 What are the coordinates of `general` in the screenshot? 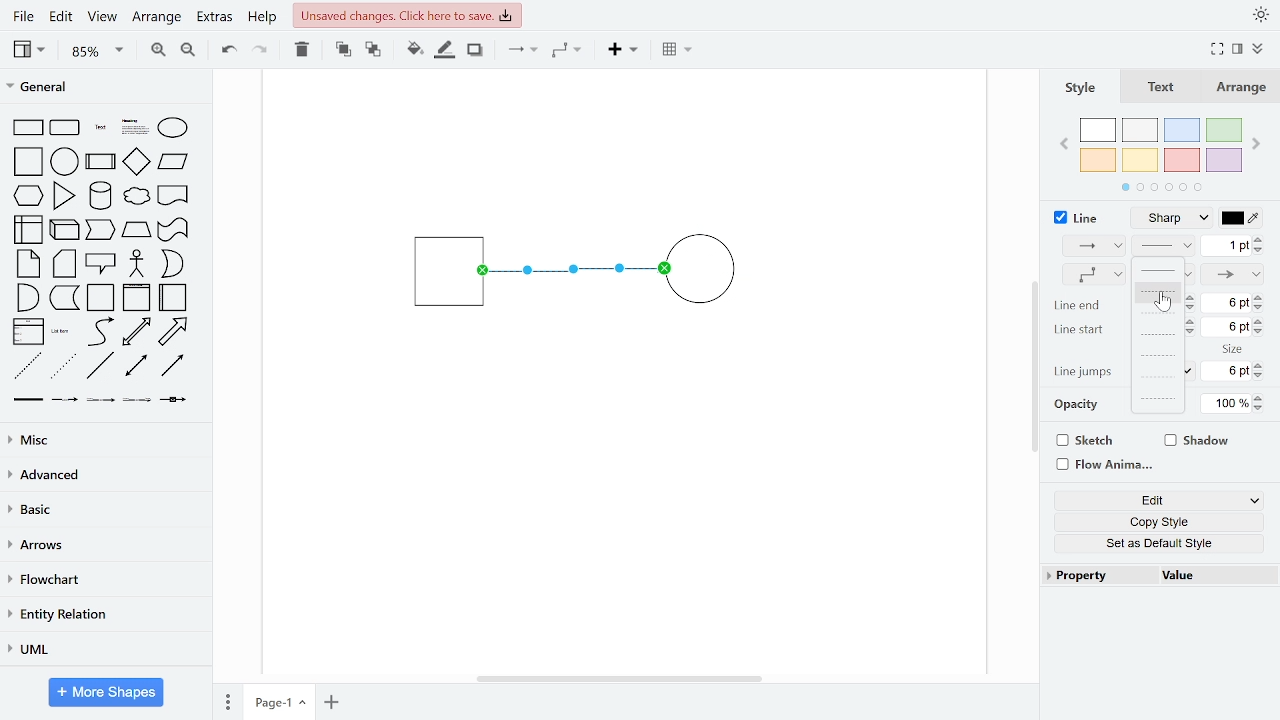 It's located at (107, 89).